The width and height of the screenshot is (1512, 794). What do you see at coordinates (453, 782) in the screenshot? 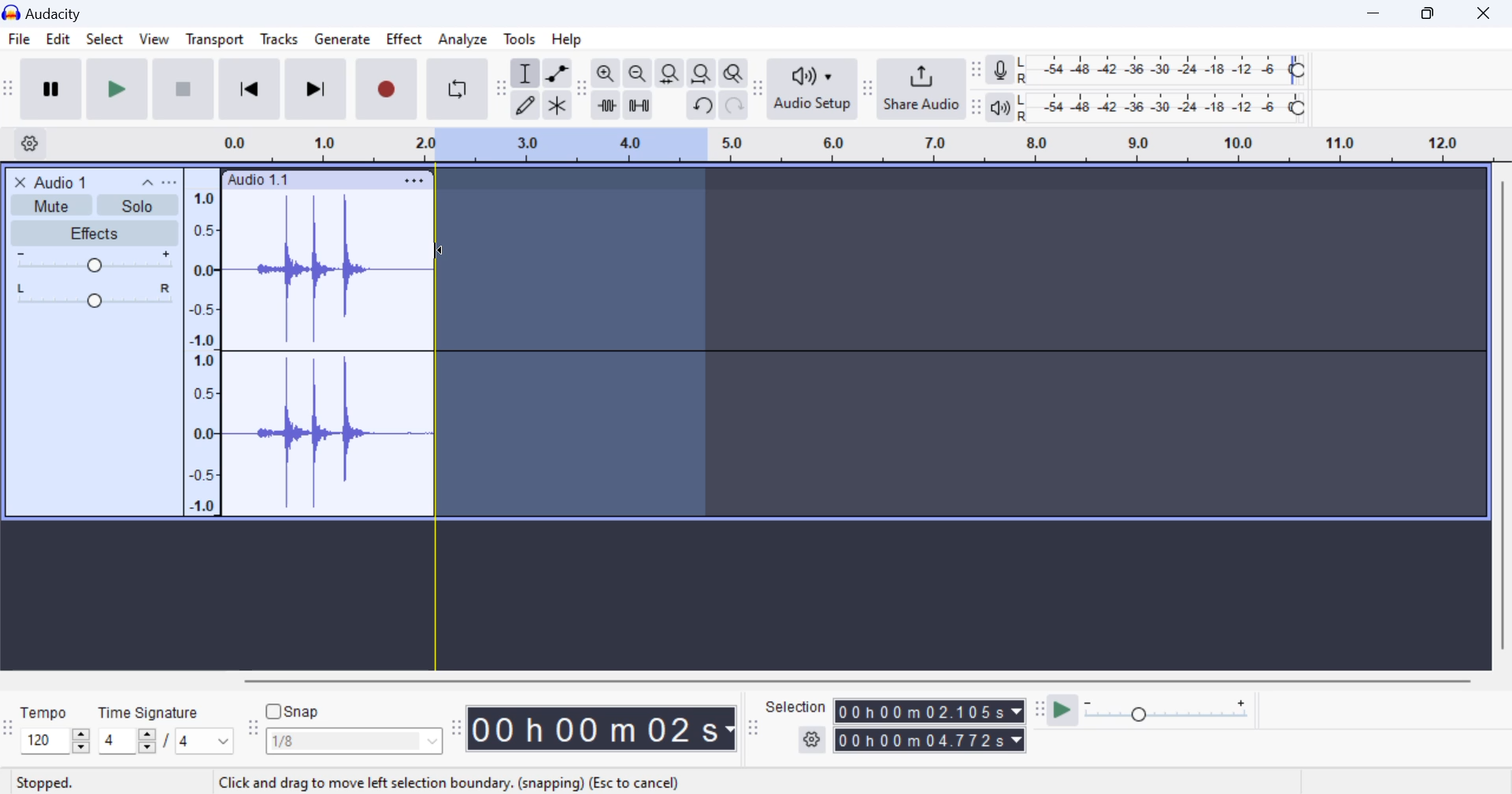
I see `application tip` at bounding box center [453, 782].